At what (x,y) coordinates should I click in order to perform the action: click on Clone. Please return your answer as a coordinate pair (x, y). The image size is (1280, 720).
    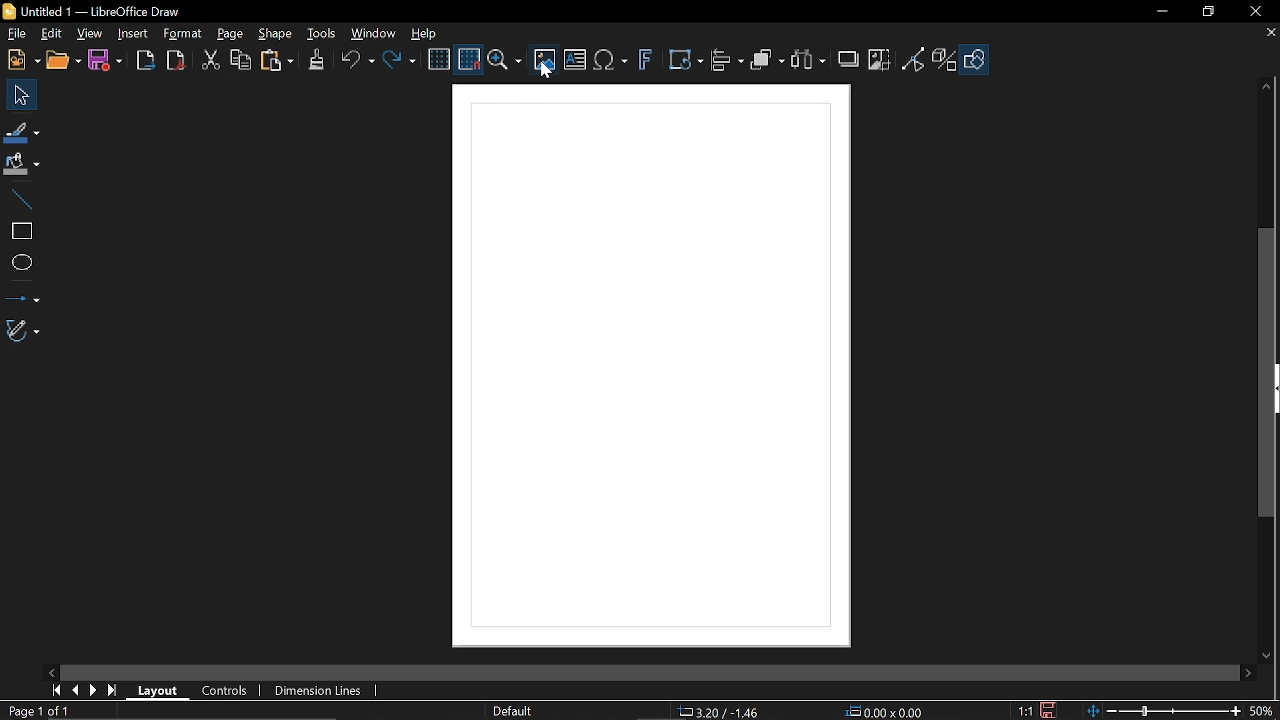
    Looking at the image, I should click on (318, 62).